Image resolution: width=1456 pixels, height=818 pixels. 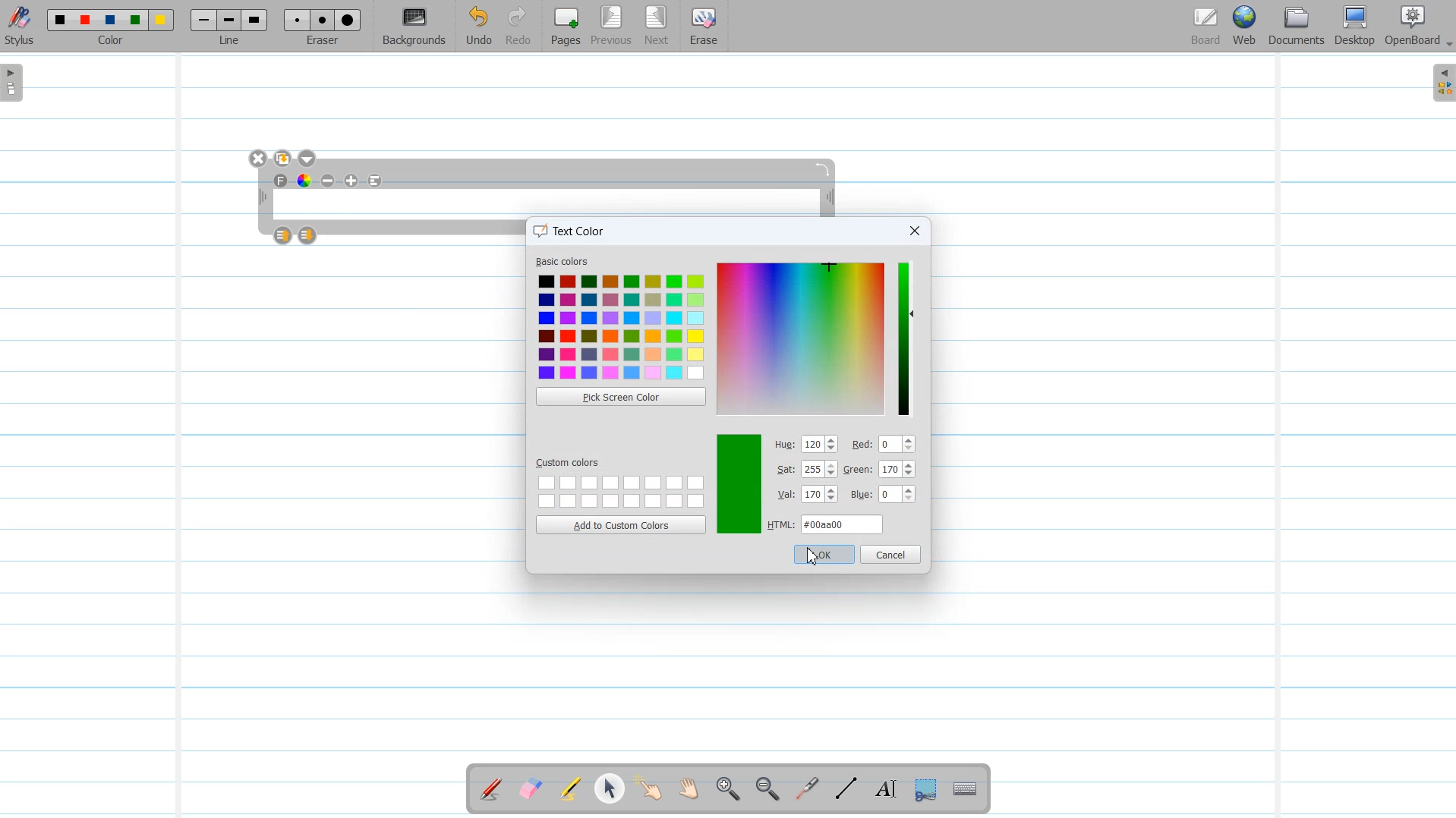 I want to click on Close Window, so click(x=259, y=159).